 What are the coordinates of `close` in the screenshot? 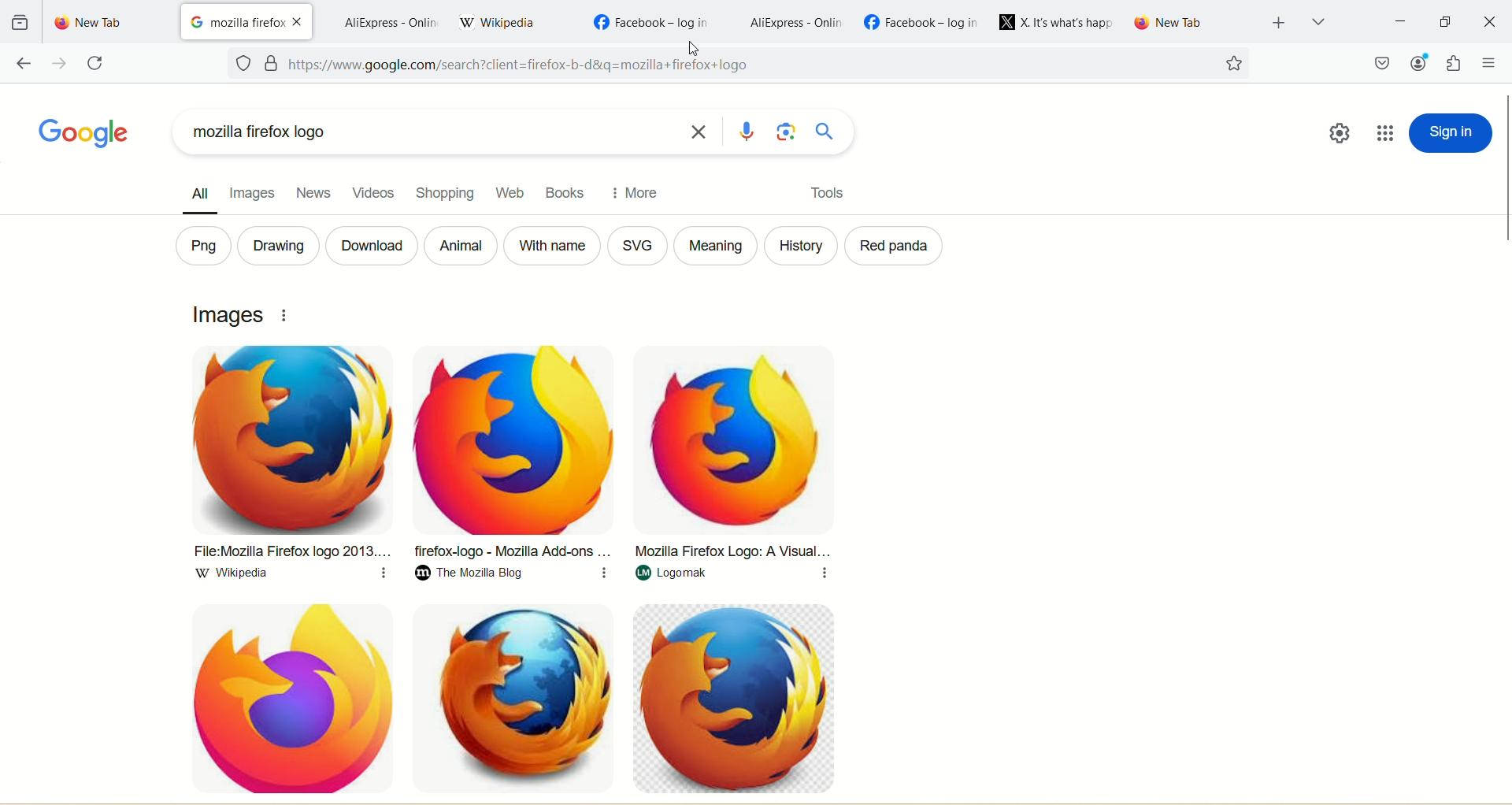 It's located at (702, 131).